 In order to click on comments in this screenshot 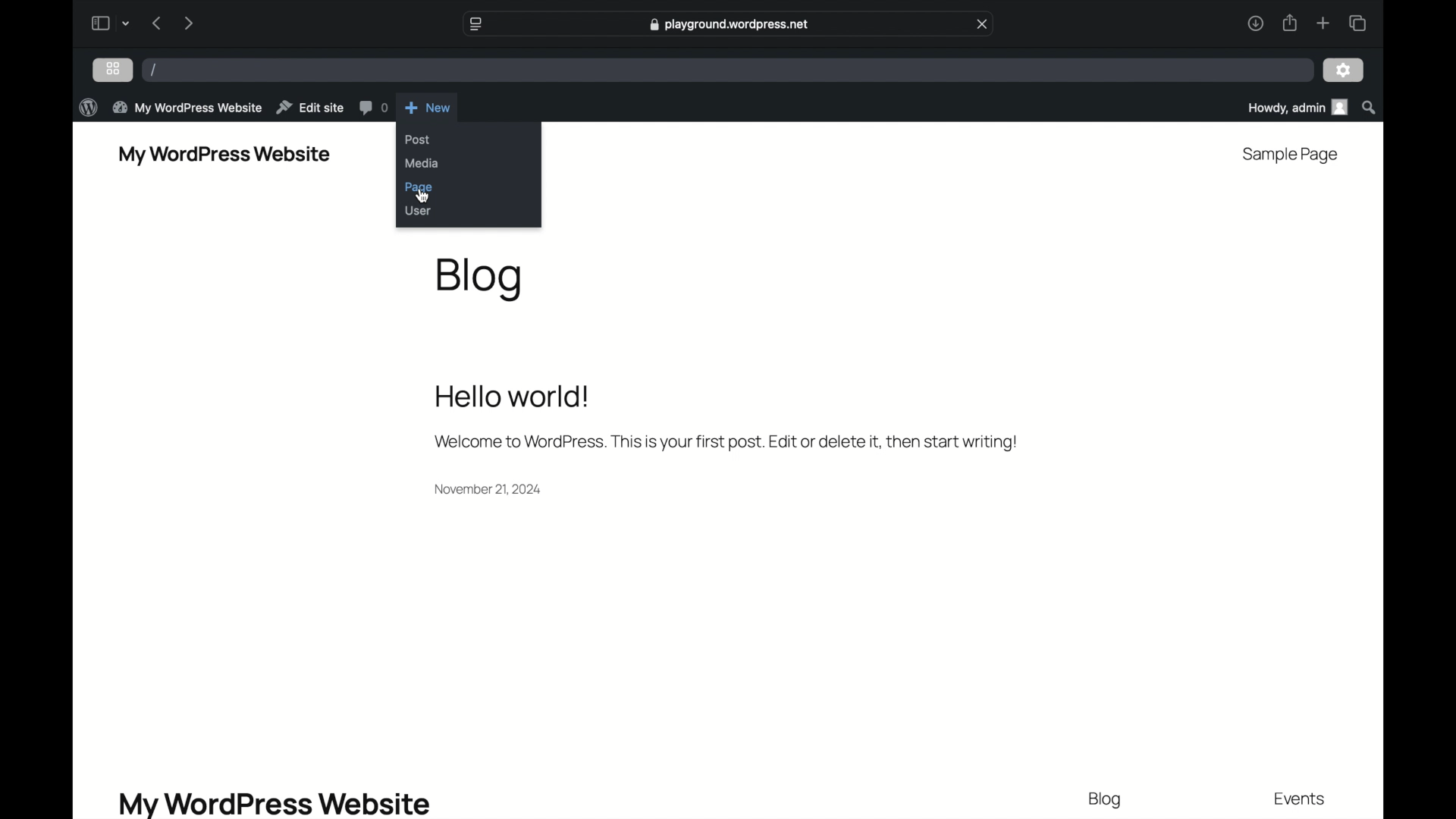, I will do `click(374, 108)`.